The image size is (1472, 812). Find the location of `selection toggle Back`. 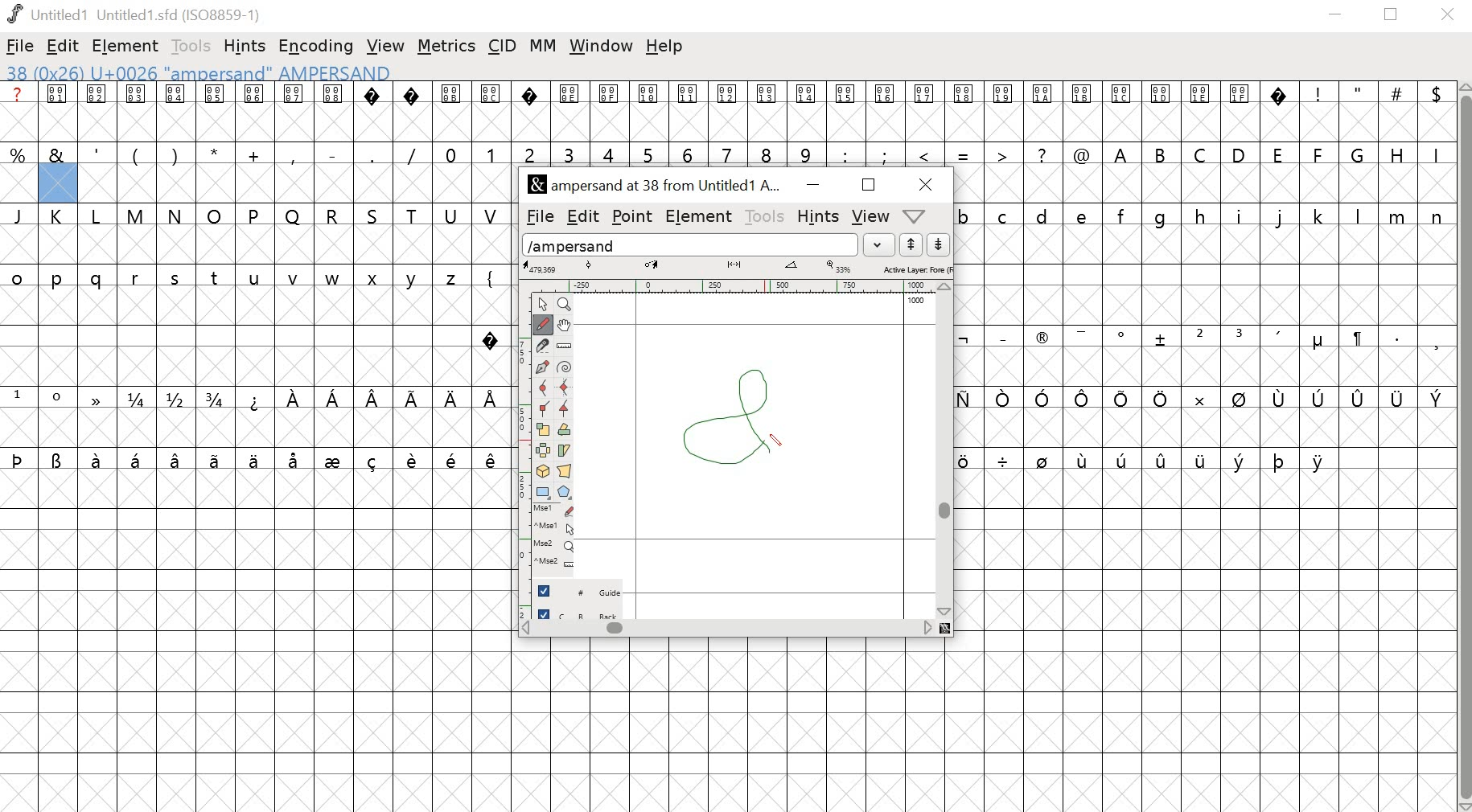

selection toggle Back is located at coordinates (586, 611).